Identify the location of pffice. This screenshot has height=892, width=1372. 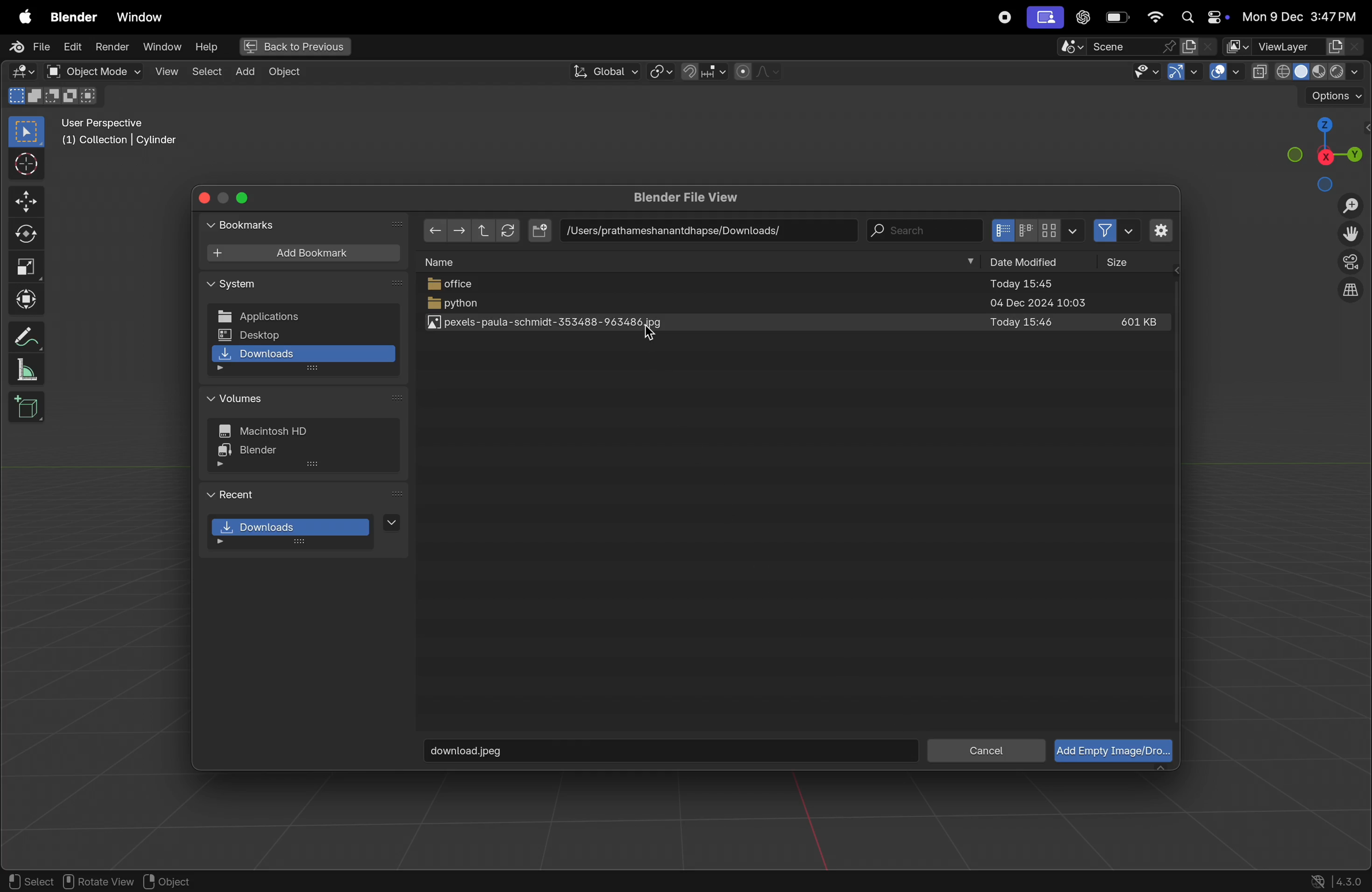
(800, 286).